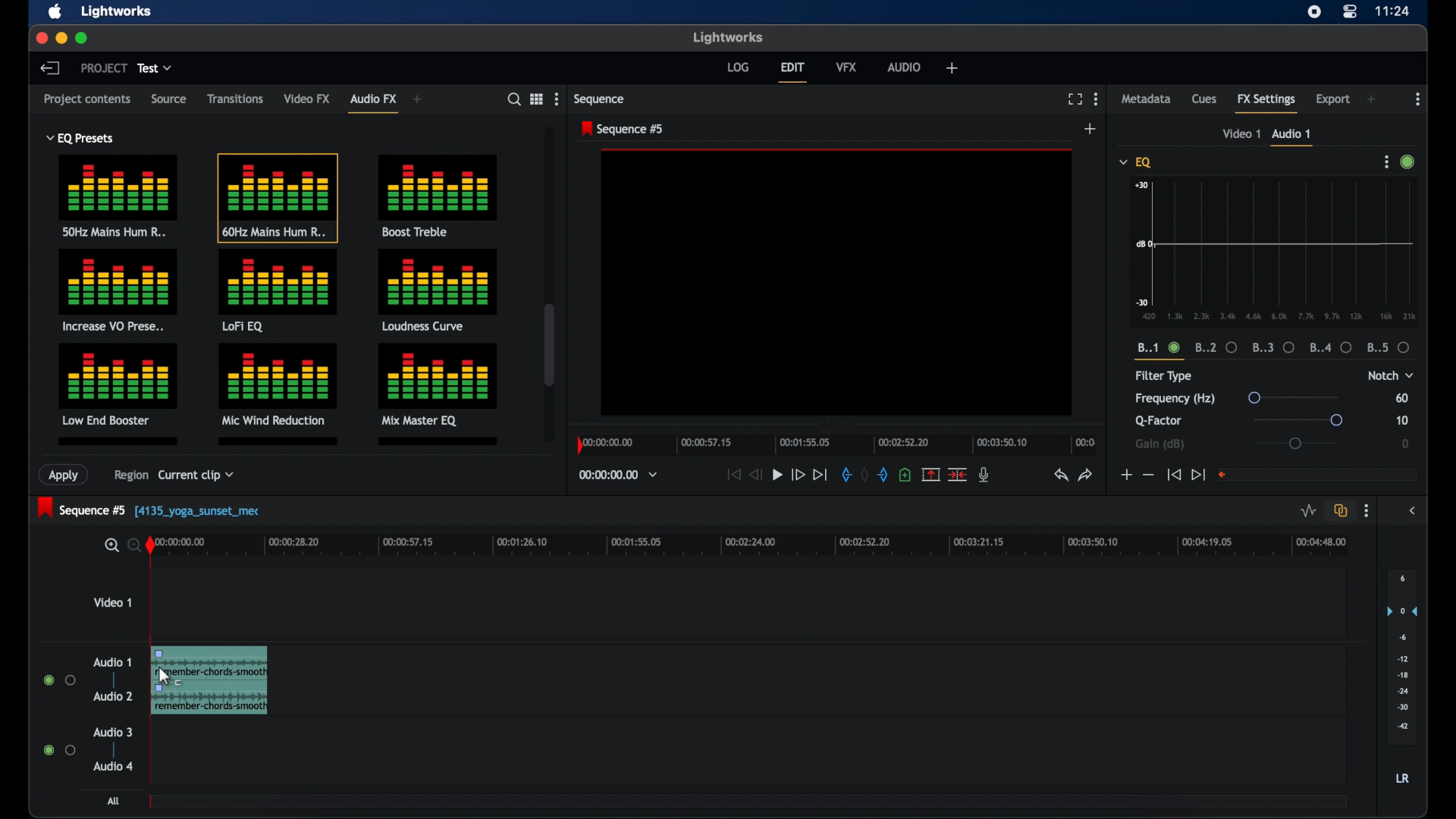 The height and width of the screenshot is (819, 1456). I want to click on more options, so click(1418, 99).